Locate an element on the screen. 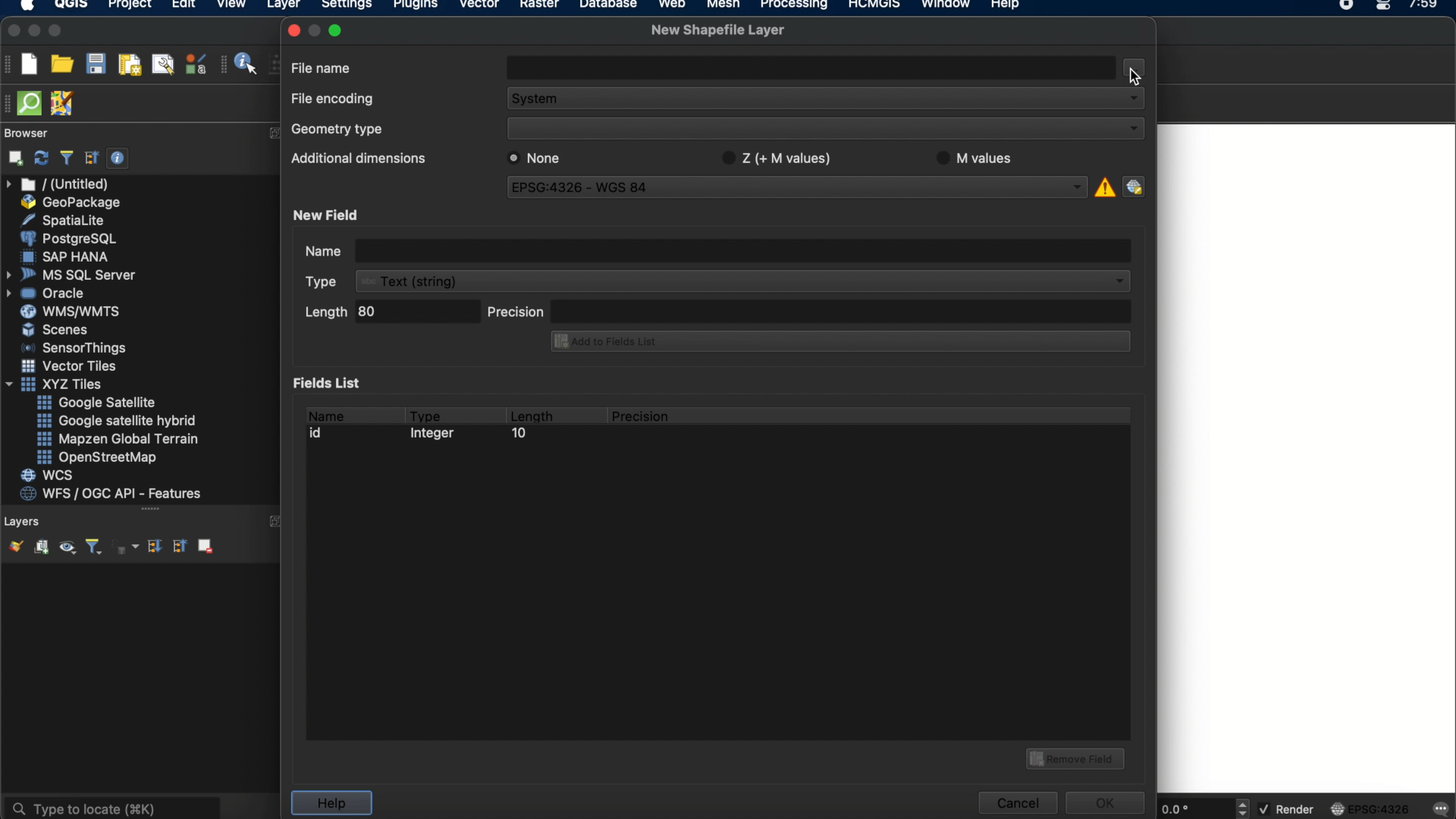  80 is located at coordinates (381, 312).